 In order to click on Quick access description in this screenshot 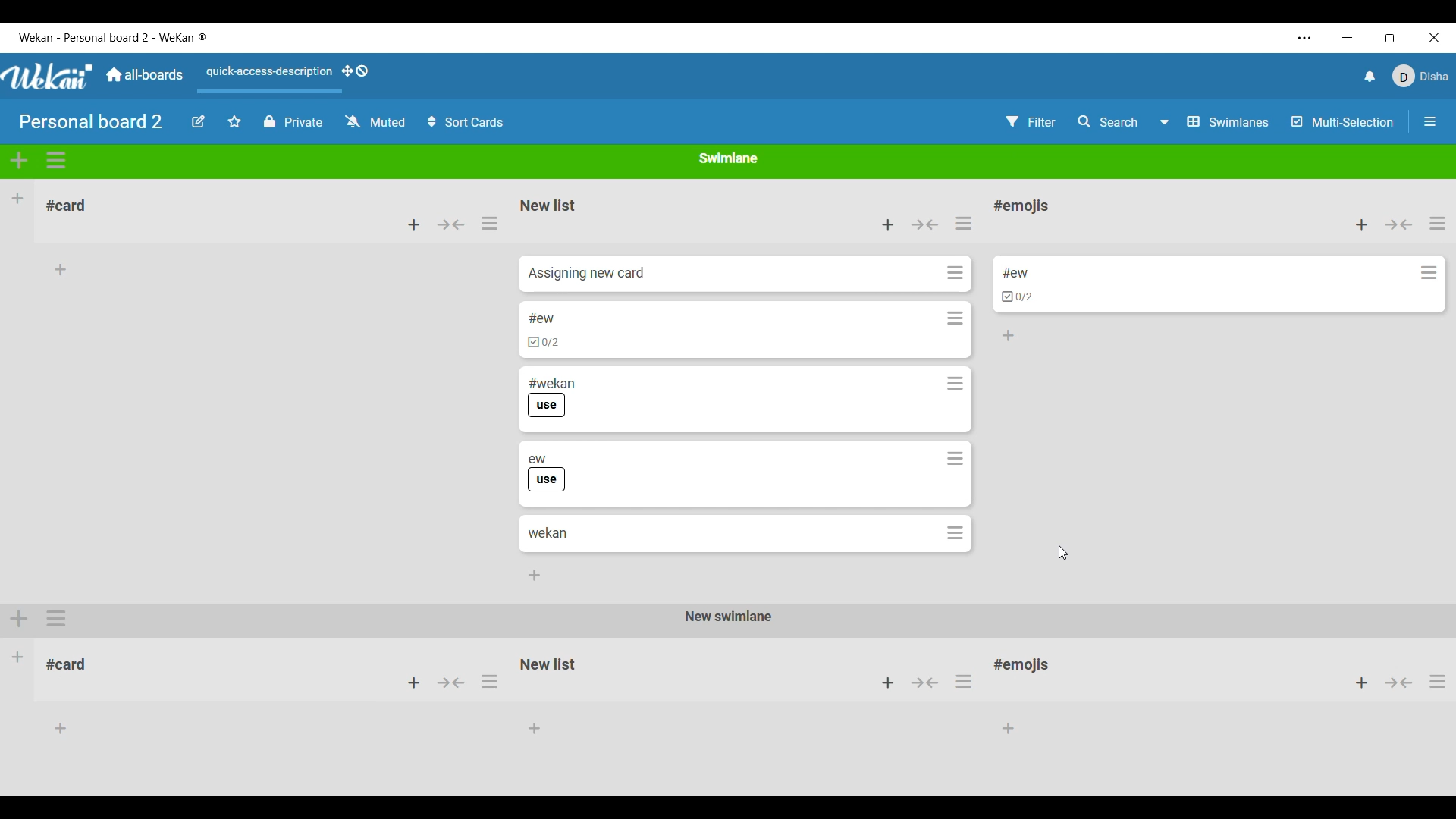, I will do `click(267, 78)`.